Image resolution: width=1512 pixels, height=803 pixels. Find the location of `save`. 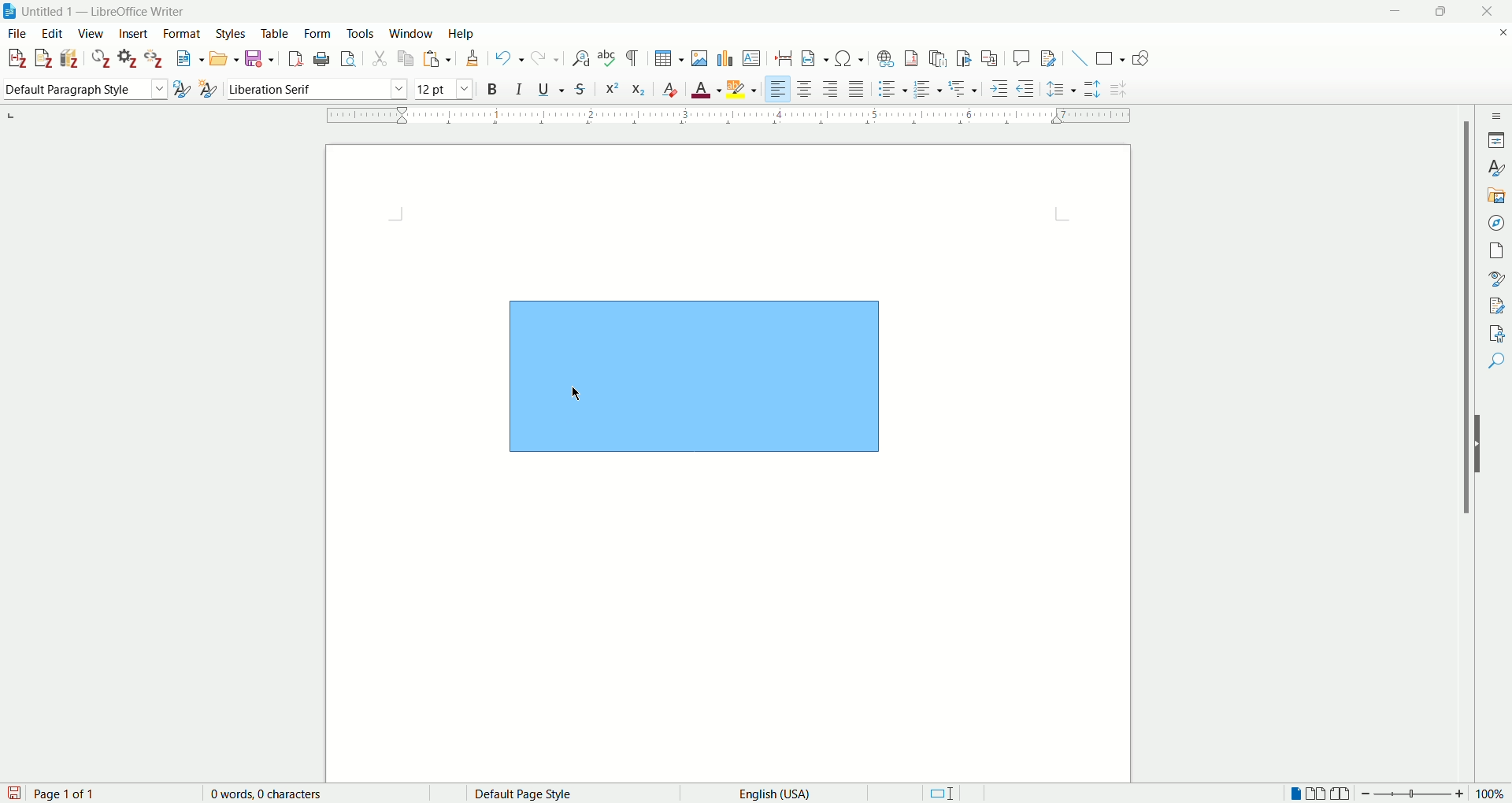

save is located at coordinates (14, 793).